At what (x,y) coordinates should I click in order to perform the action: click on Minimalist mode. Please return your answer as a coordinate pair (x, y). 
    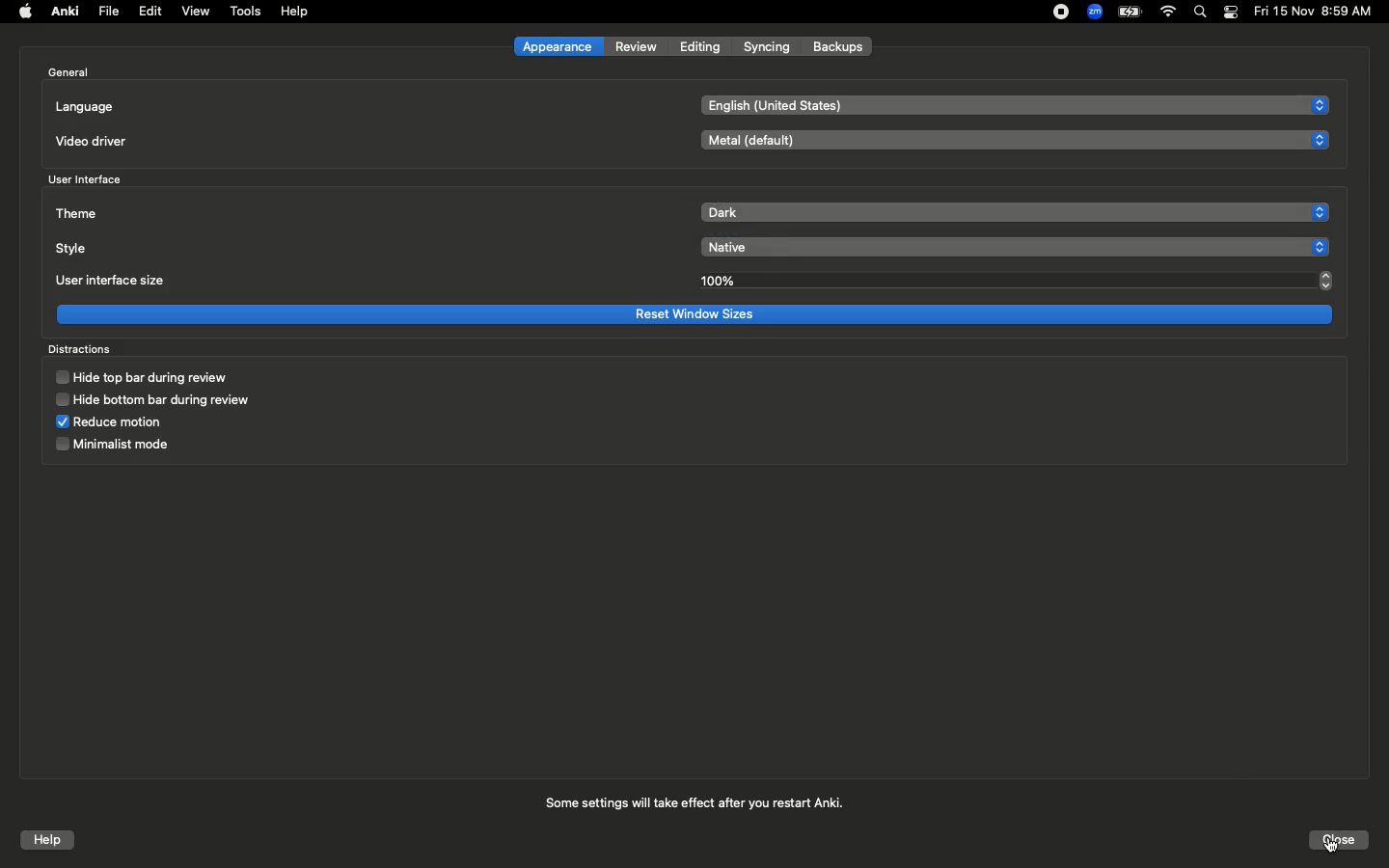
    Looking at the image, I should click on (117, 443).